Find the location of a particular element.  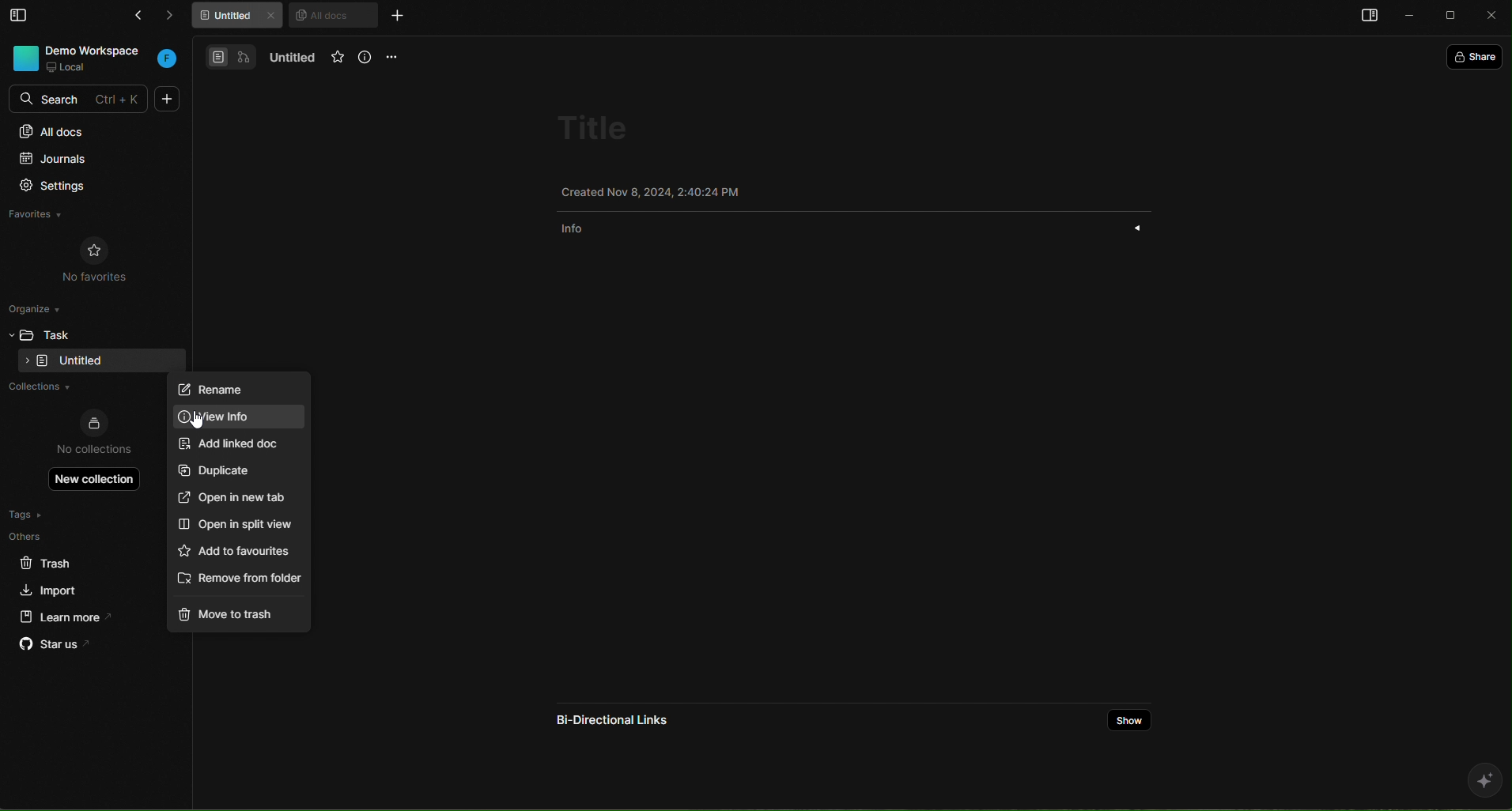

info is located at coordinates (858, 227).